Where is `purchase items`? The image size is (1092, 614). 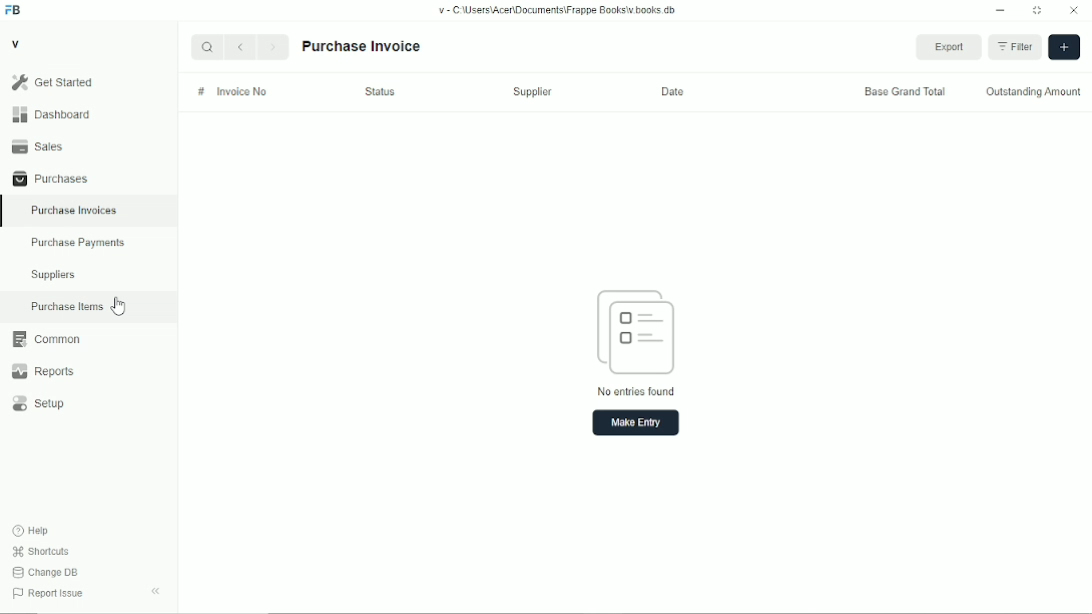 purchase items is located at coordinates (67, 307).